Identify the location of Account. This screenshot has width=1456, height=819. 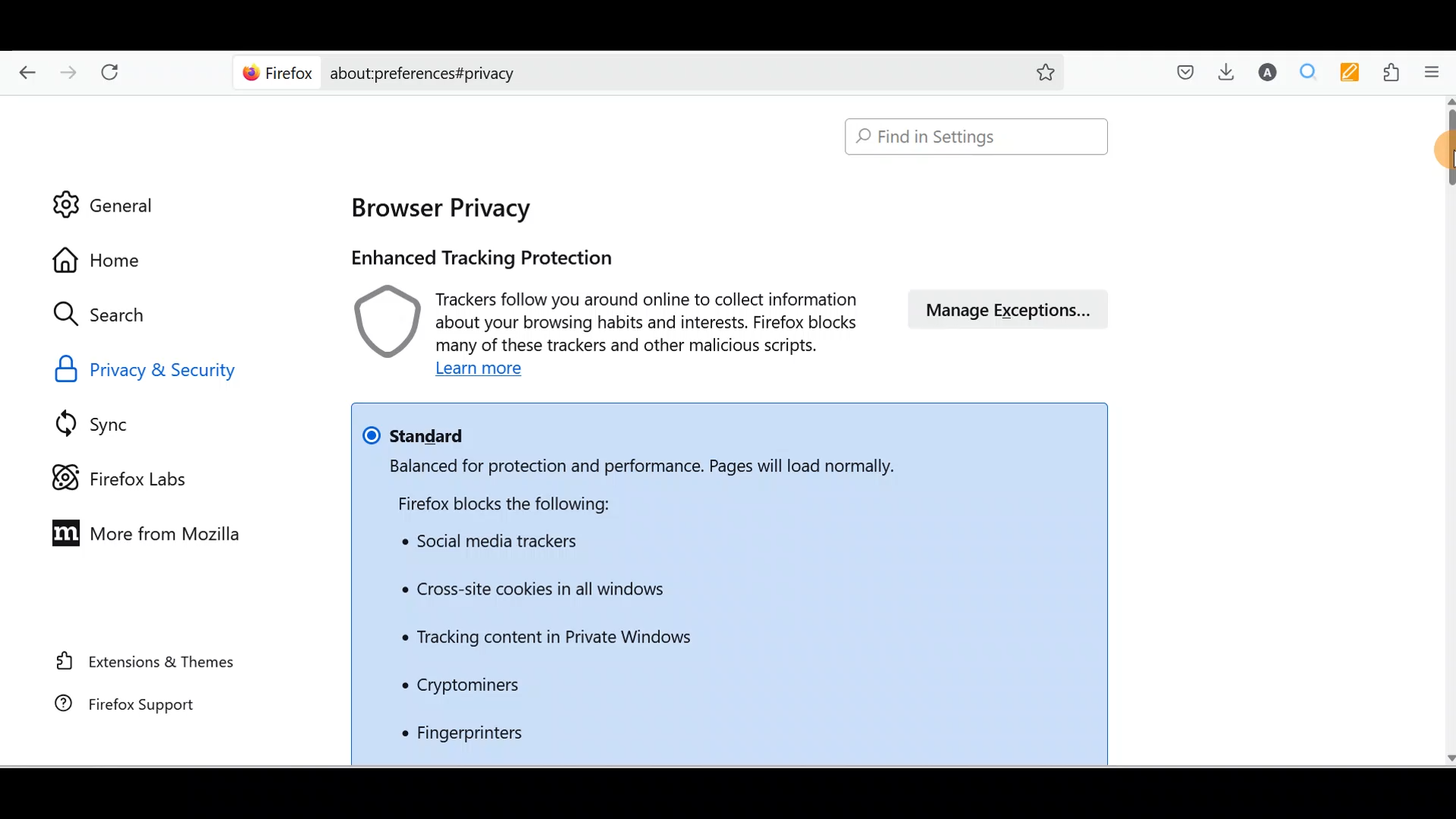
(1268, 71).